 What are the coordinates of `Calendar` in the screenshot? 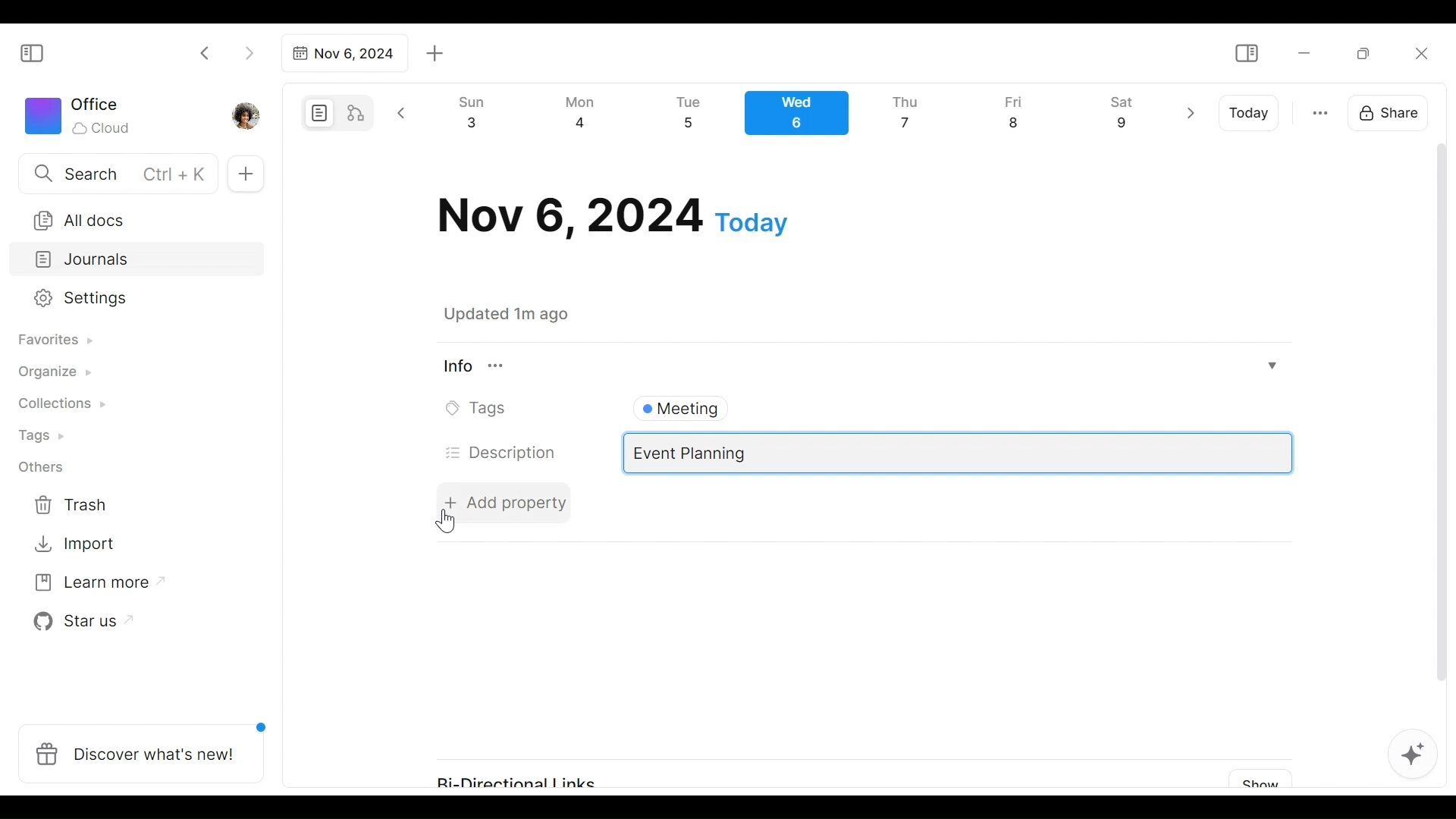 It's located at (803, 117).